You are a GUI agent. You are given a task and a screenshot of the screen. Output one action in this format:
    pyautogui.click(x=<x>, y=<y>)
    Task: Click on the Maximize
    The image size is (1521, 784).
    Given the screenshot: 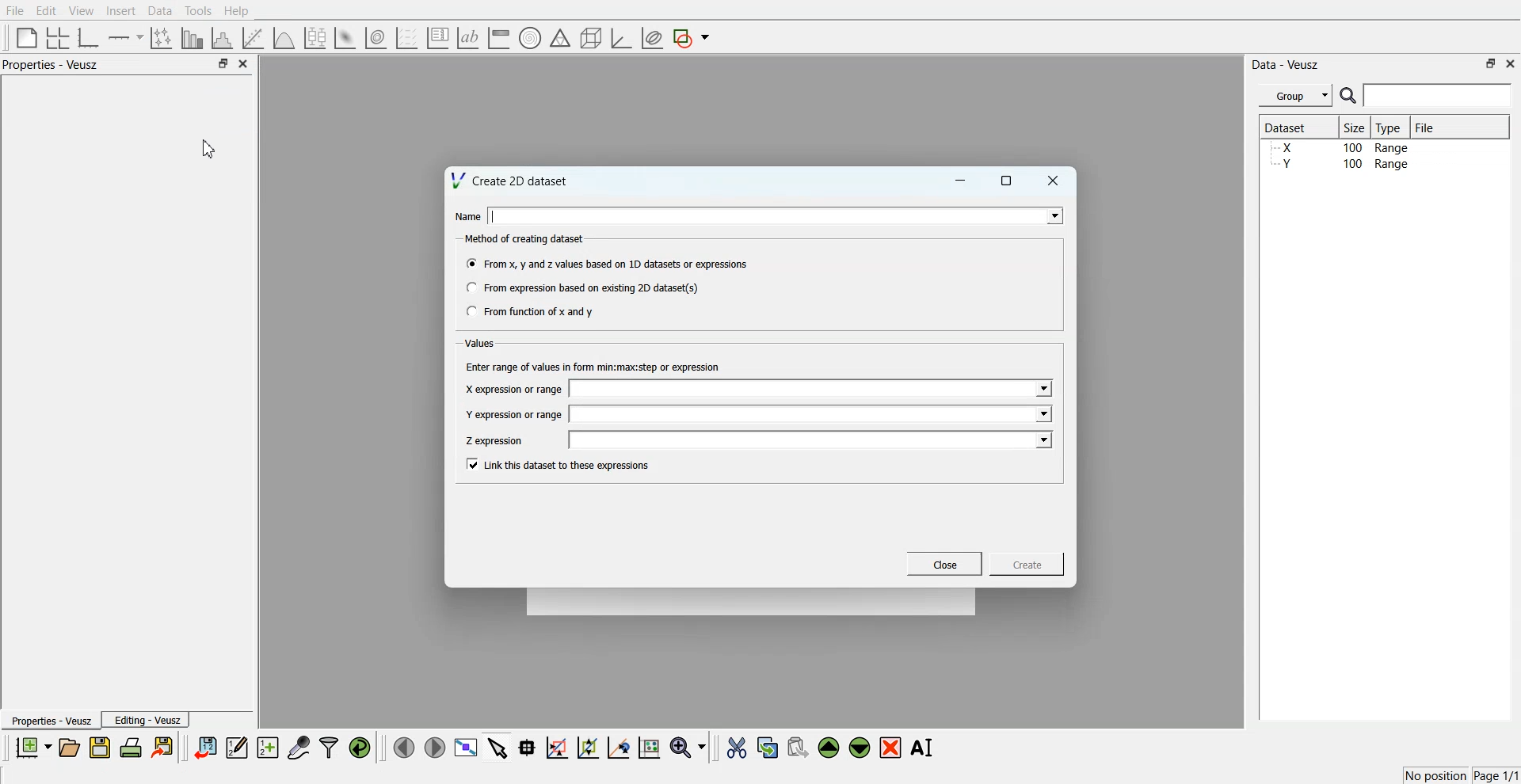 What is the action you would take?
    pyautogui.click(x=1007, y=181)
    